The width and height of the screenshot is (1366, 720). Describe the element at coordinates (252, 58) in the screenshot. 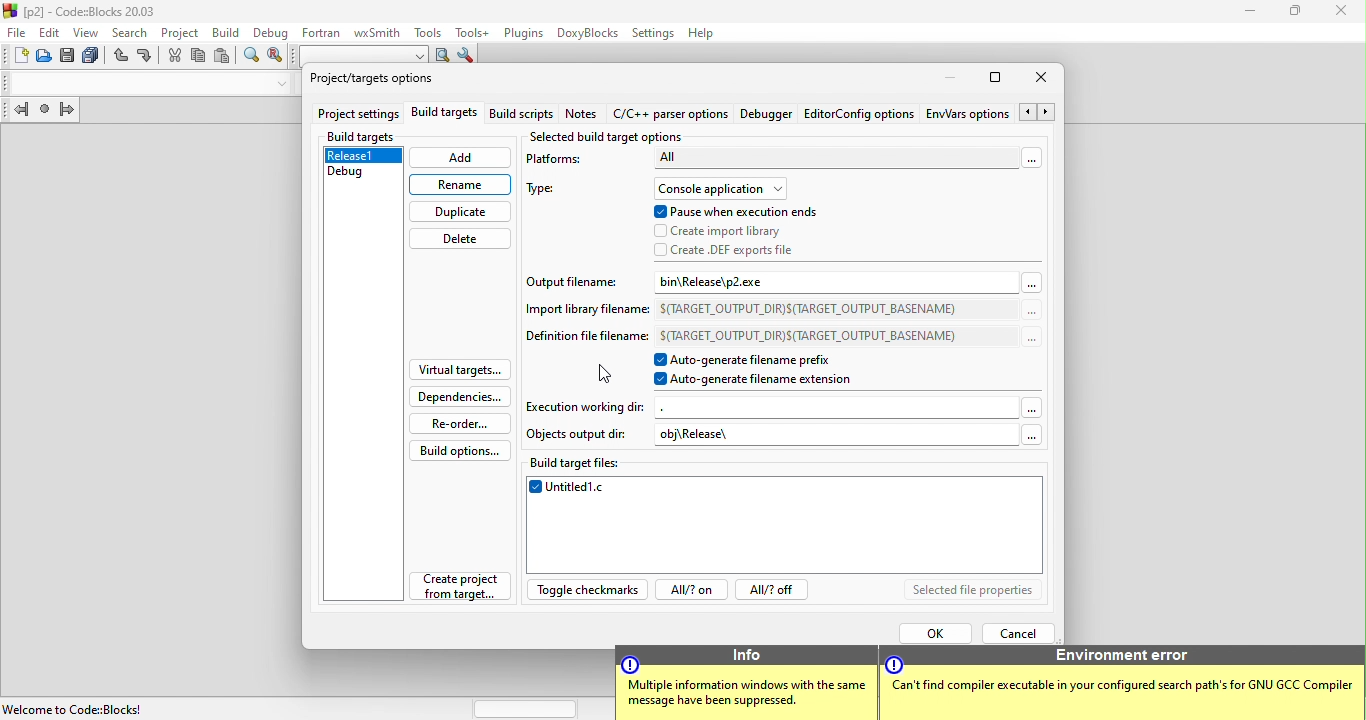

I see `find` at that location.